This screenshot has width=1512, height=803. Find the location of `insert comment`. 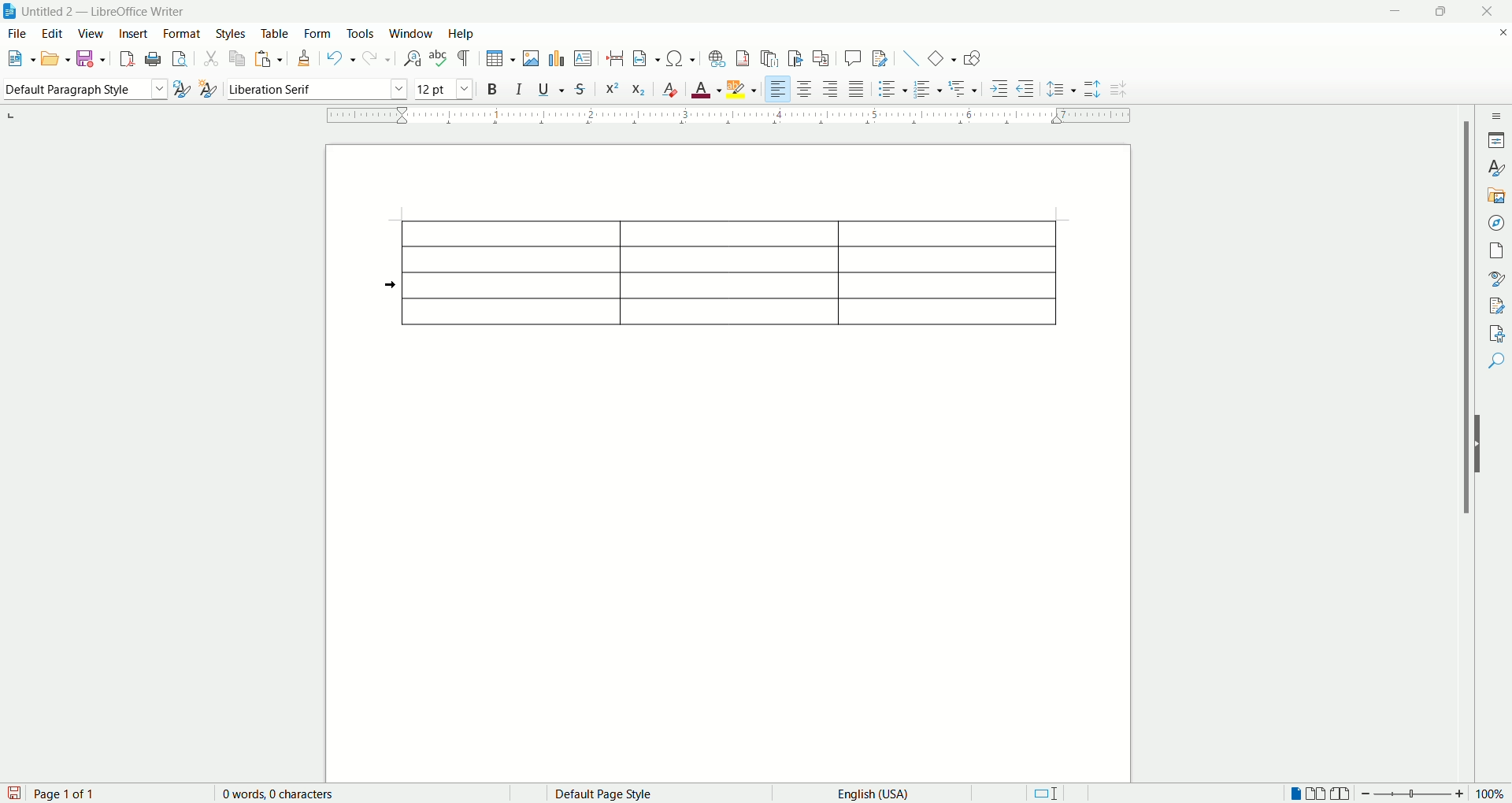

insert comment is located at coordinates (853, 61).